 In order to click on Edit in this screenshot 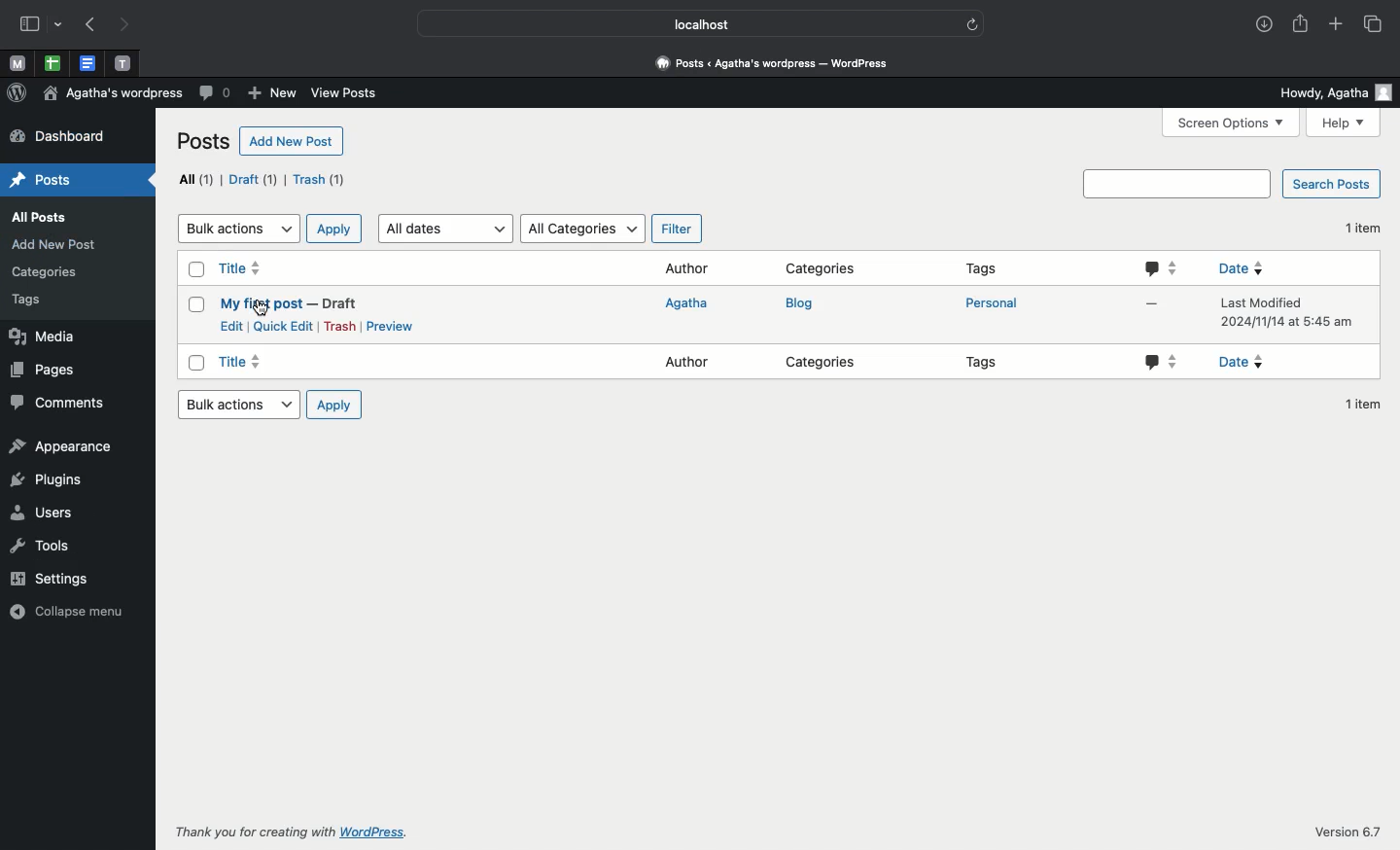, I will do `click(230, 327)`.